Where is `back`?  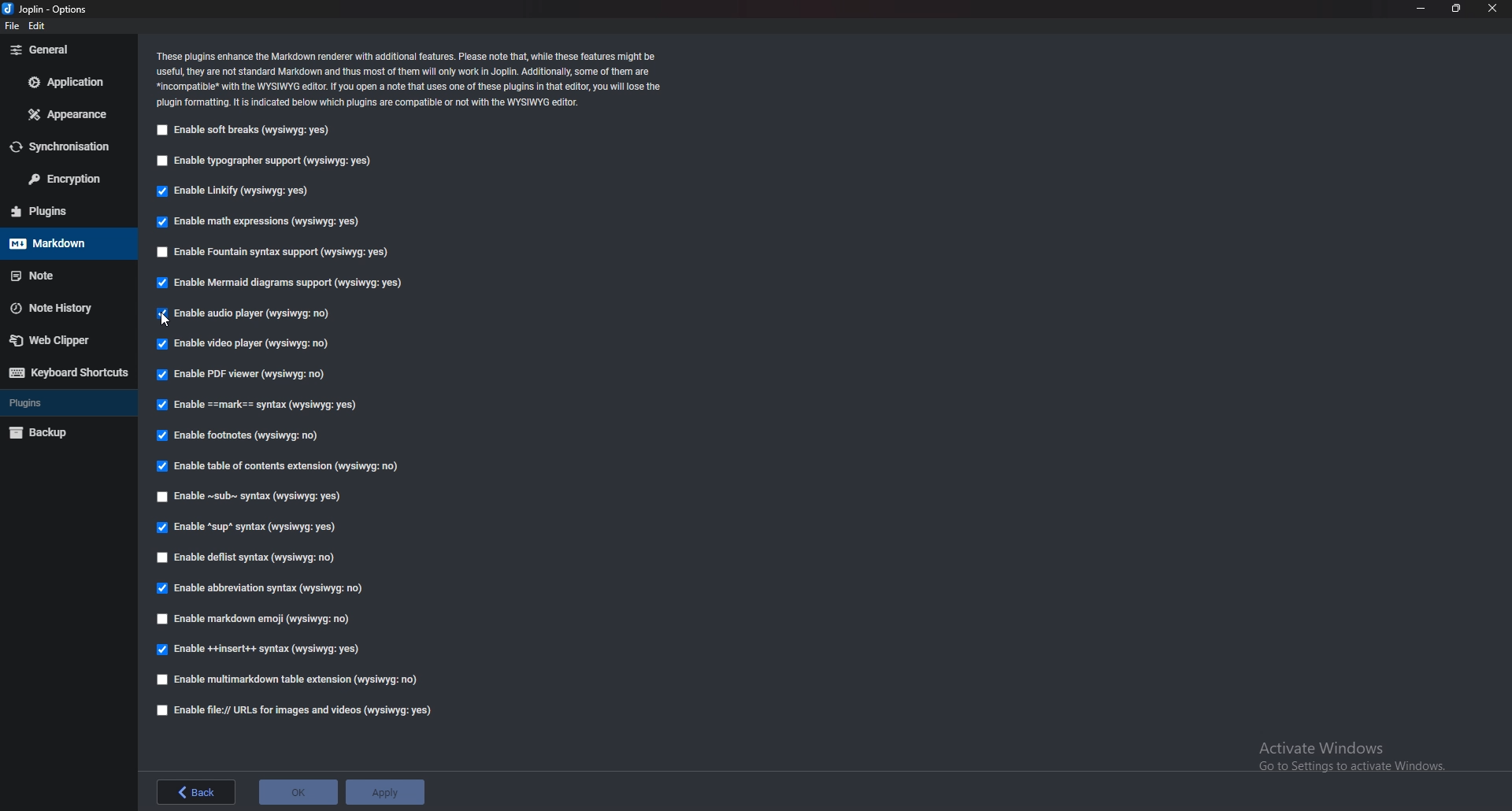 back is located at coordinates (196, 794).